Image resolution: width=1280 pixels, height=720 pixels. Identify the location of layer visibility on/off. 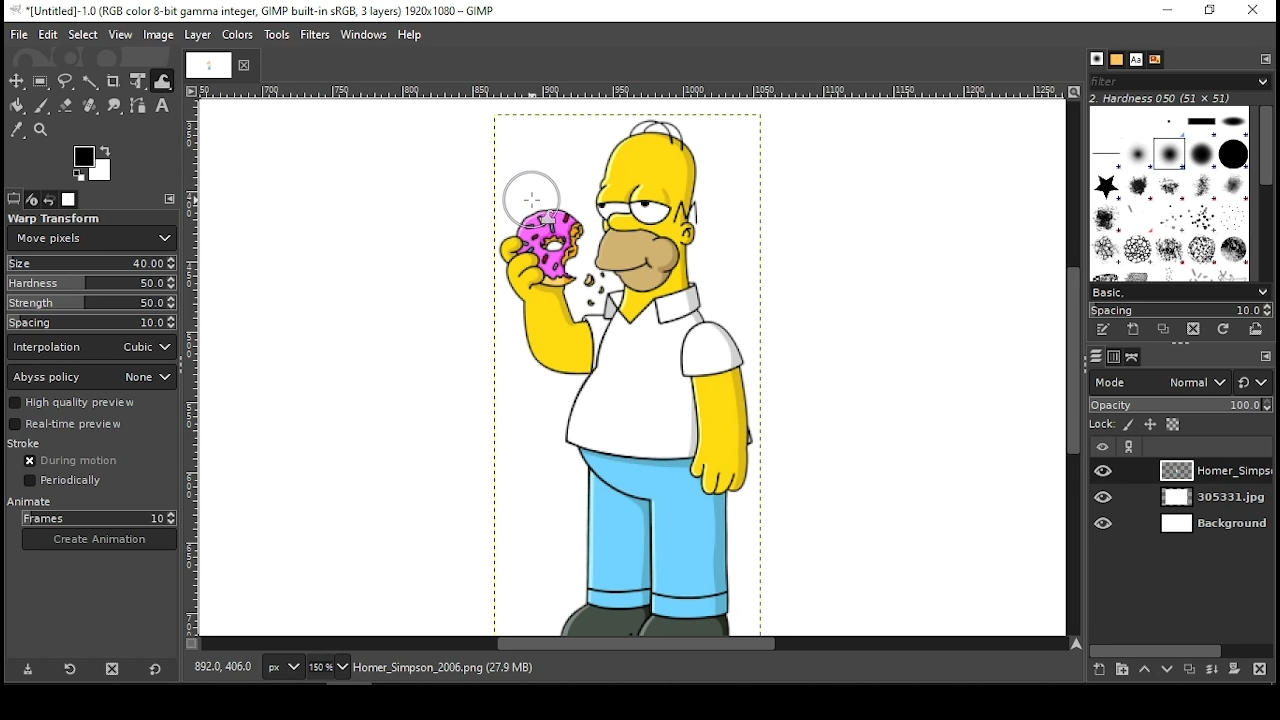
(1106, 498).